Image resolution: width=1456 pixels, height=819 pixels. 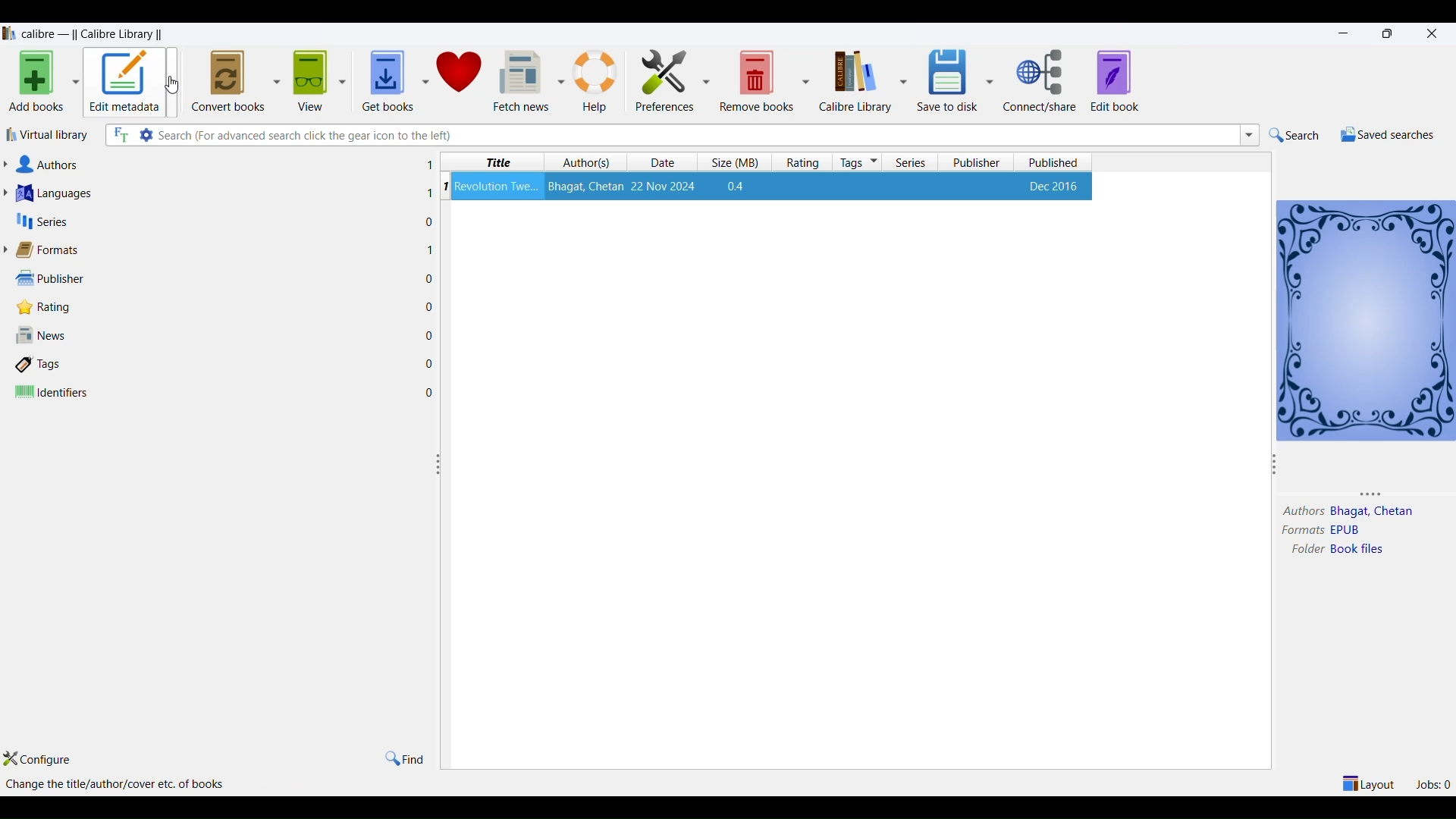 I want to click on maximize, so click(x=1385, y=33).